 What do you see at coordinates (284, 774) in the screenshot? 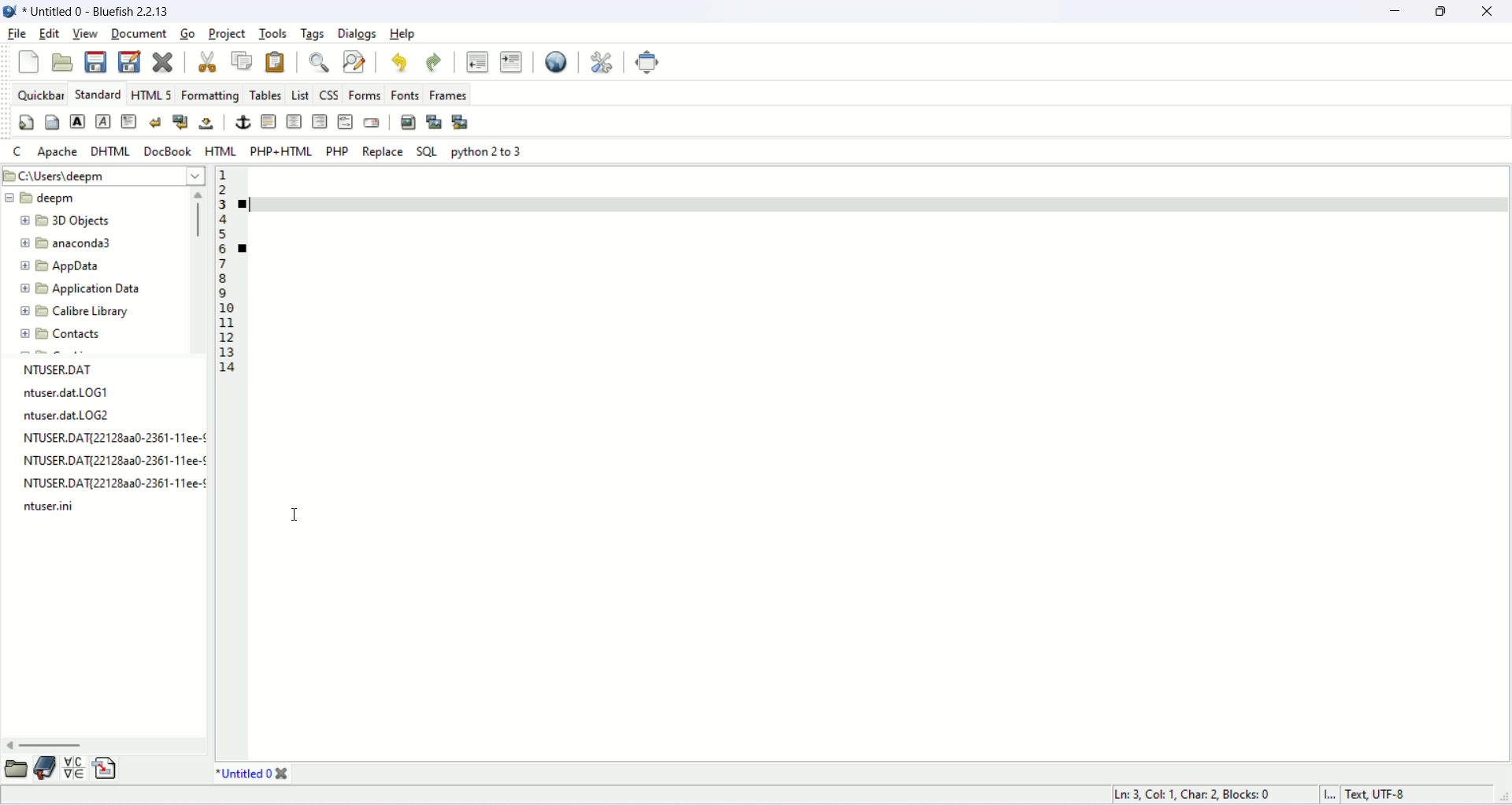
I see `close` at bounding box center [284, 774].